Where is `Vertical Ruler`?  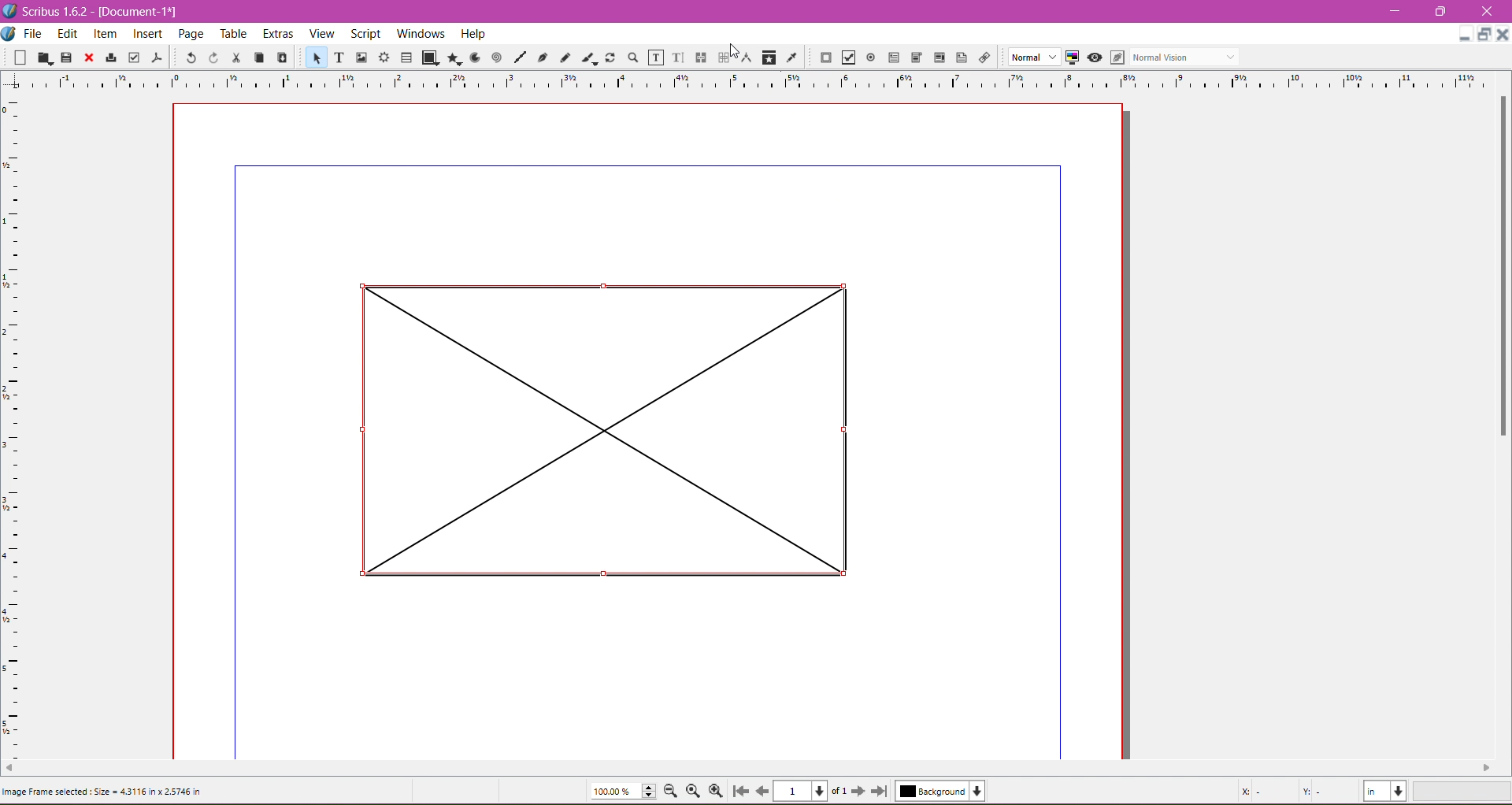
Vertical Ruler is located at coordinates (13, 423).